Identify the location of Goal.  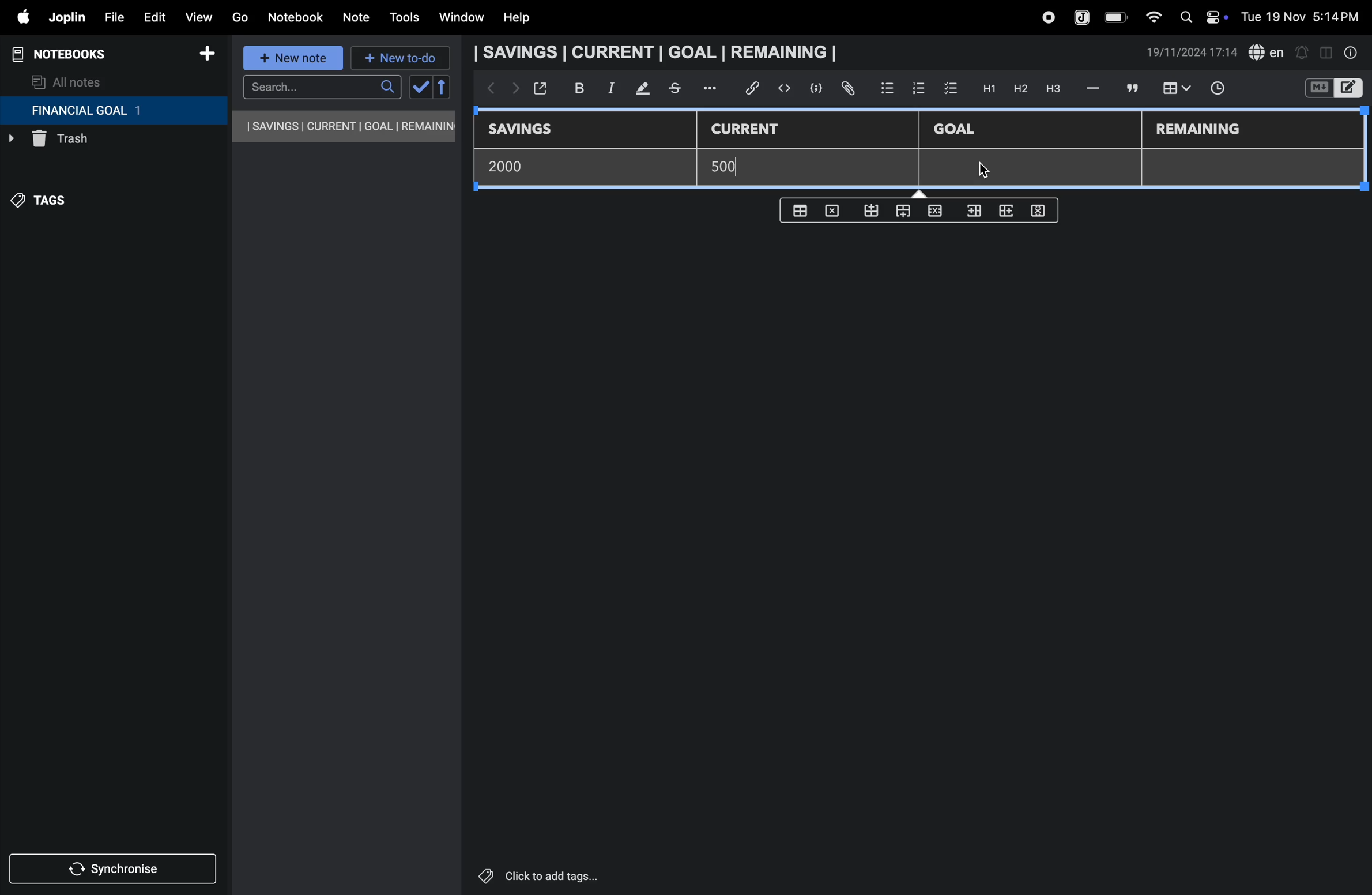
(962, 130).